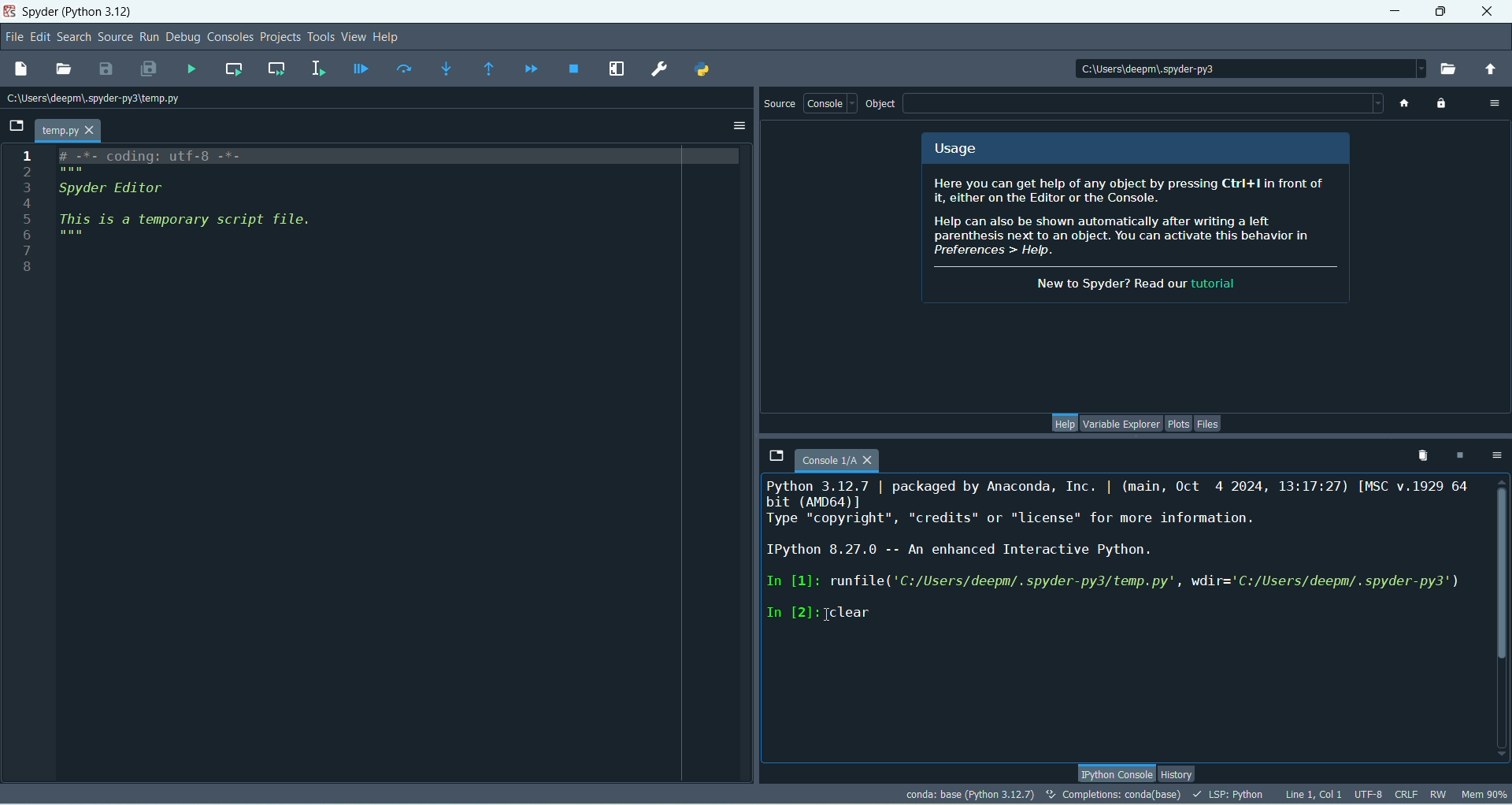 This screenshot has height=805, width=1512. What do you see at coordinates (356, 37) in the screenshot?
I see `view` at bounding box center [356, 37].